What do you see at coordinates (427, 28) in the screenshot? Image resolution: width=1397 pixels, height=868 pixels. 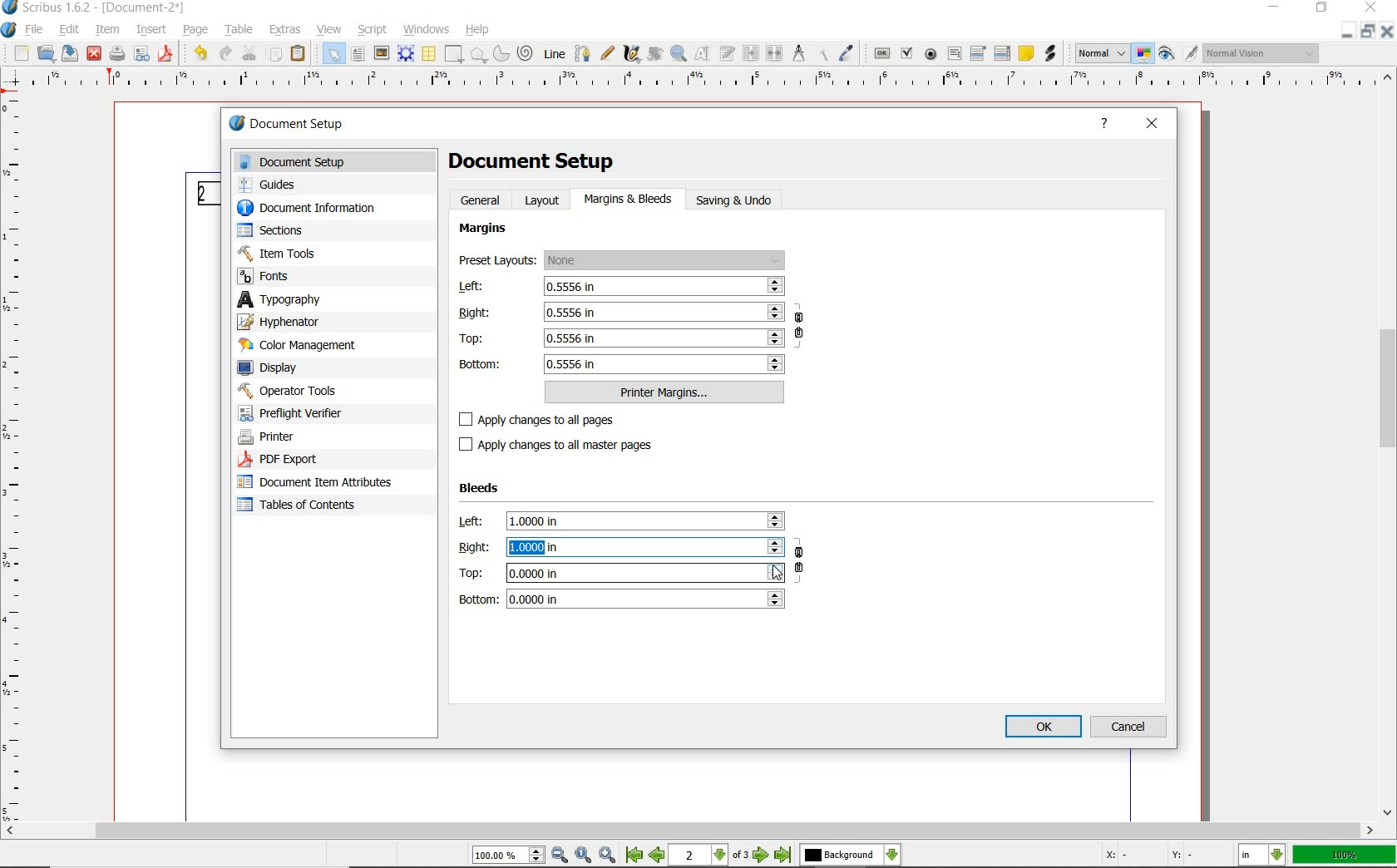 I see `windows` at bounding box center [427, 28].